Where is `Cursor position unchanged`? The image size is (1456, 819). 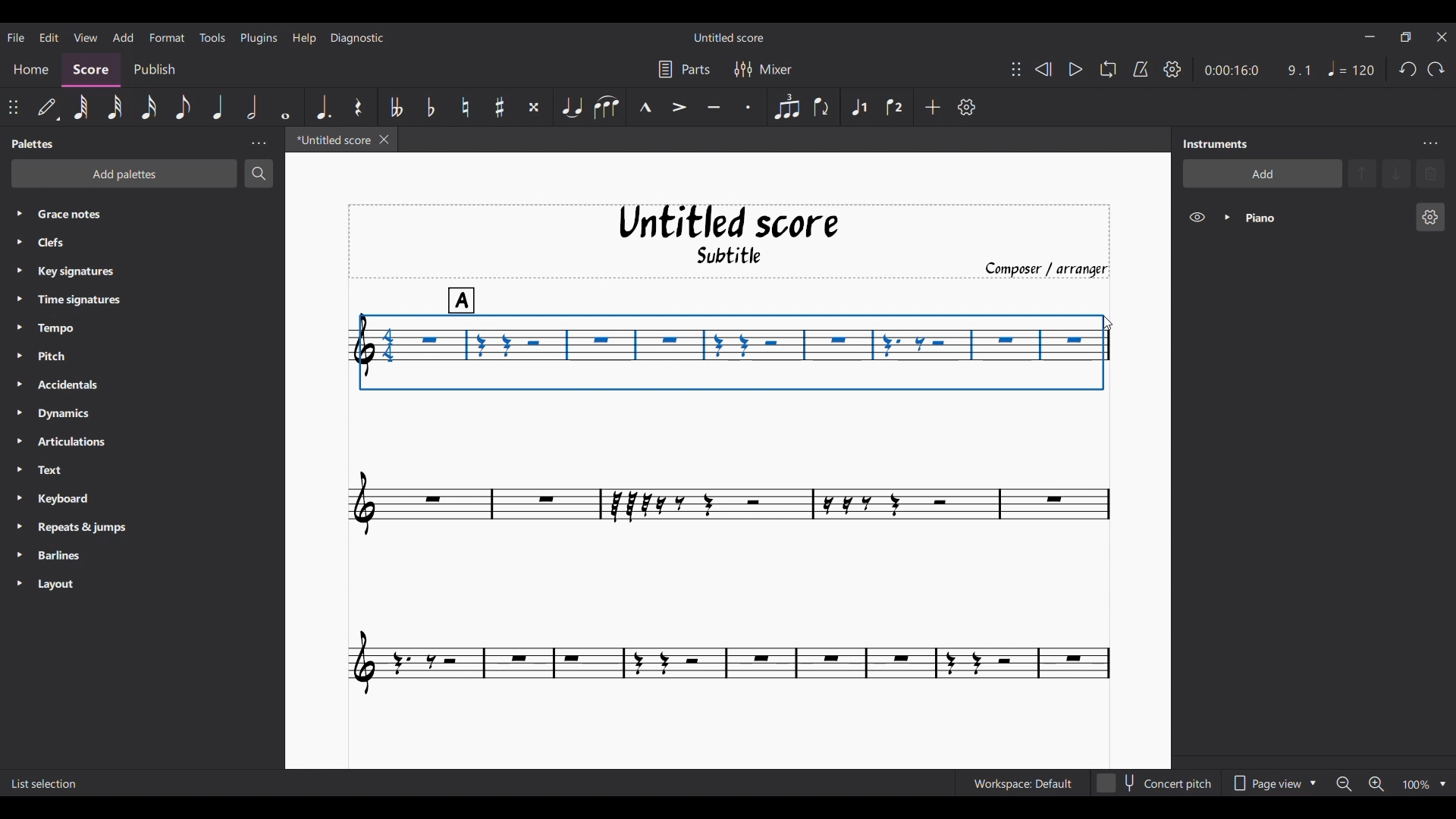 Cursor position unchanged is located at coordinates (1106, 319).